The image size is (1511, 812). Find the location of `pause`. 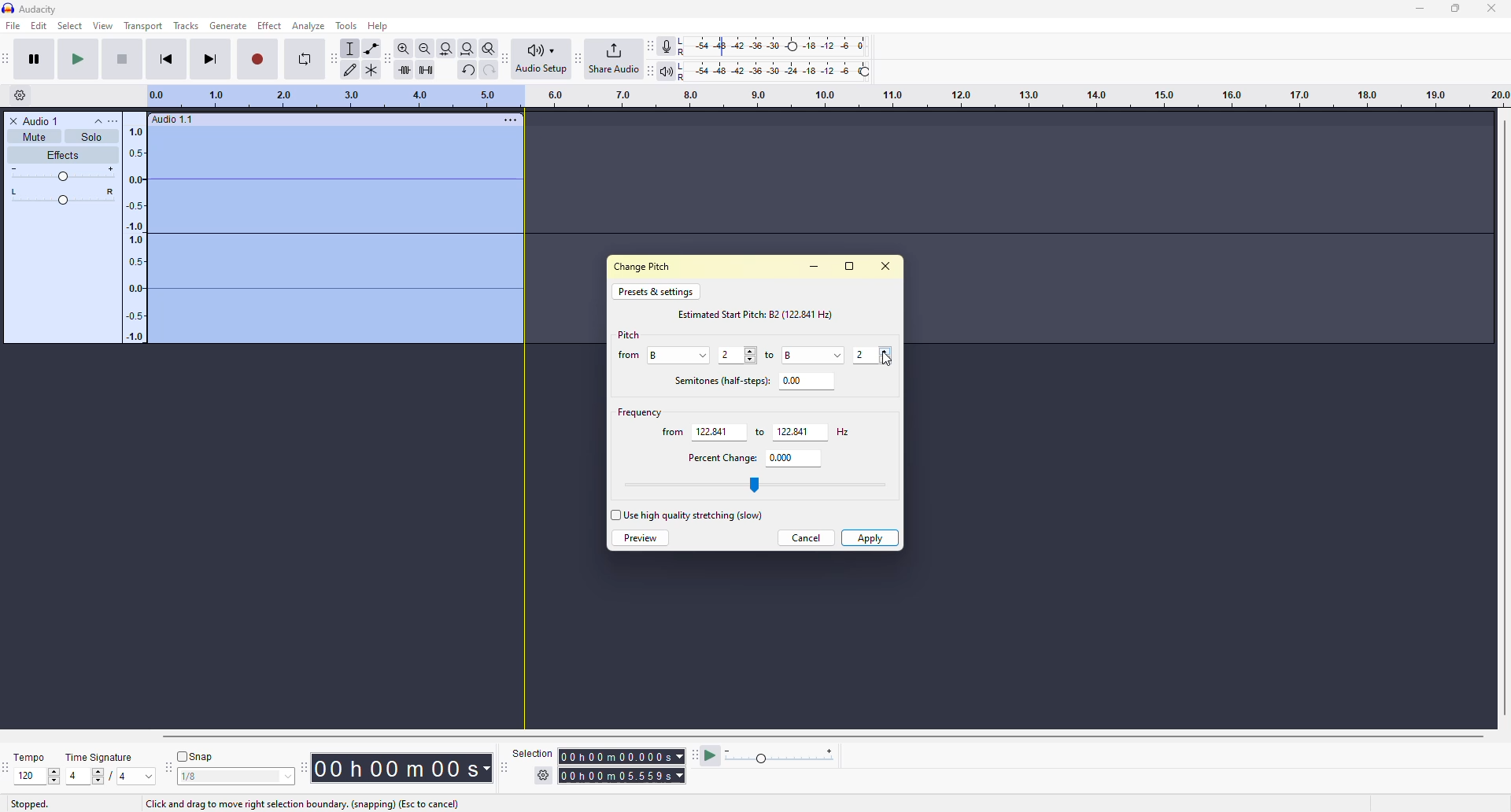

pause is located at coordinates (34, 58).